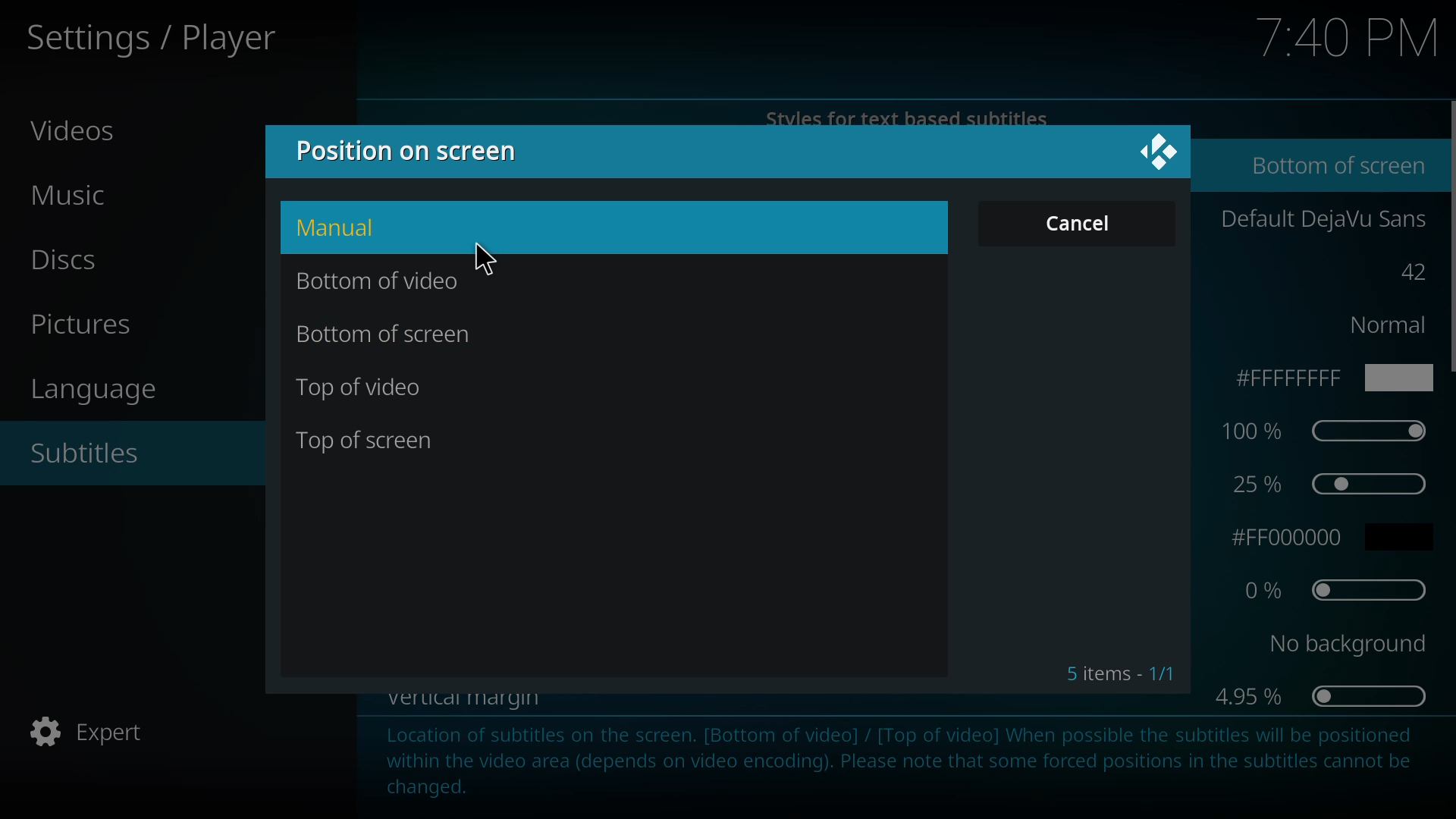 The width and height of the screenshot is (1456, 819). I want to click on info, so click(894, 763).